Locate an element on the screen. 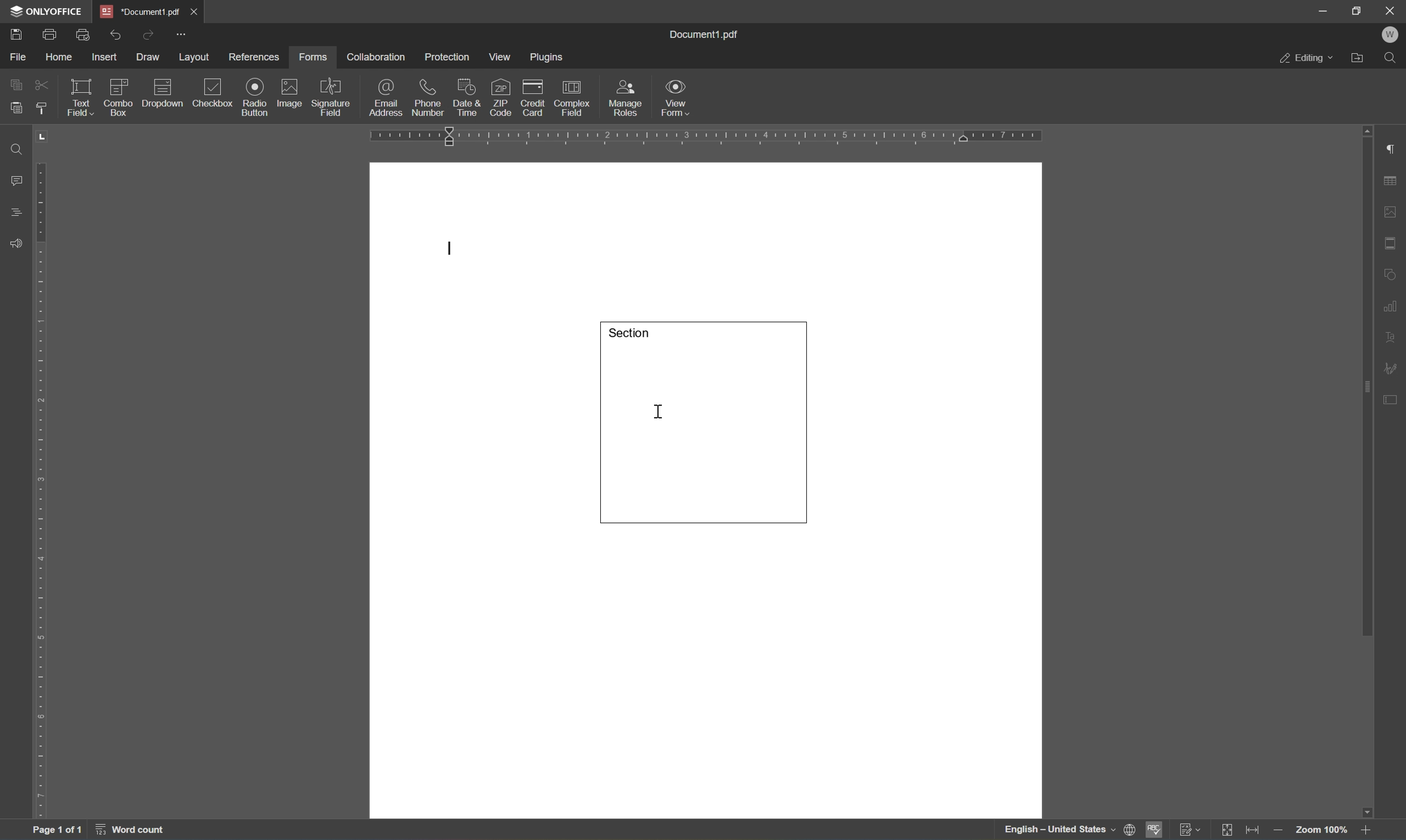 Image resolution: width=1406 pixels, height=840 pixels. fit to width is located at coordinates (1257, 830).